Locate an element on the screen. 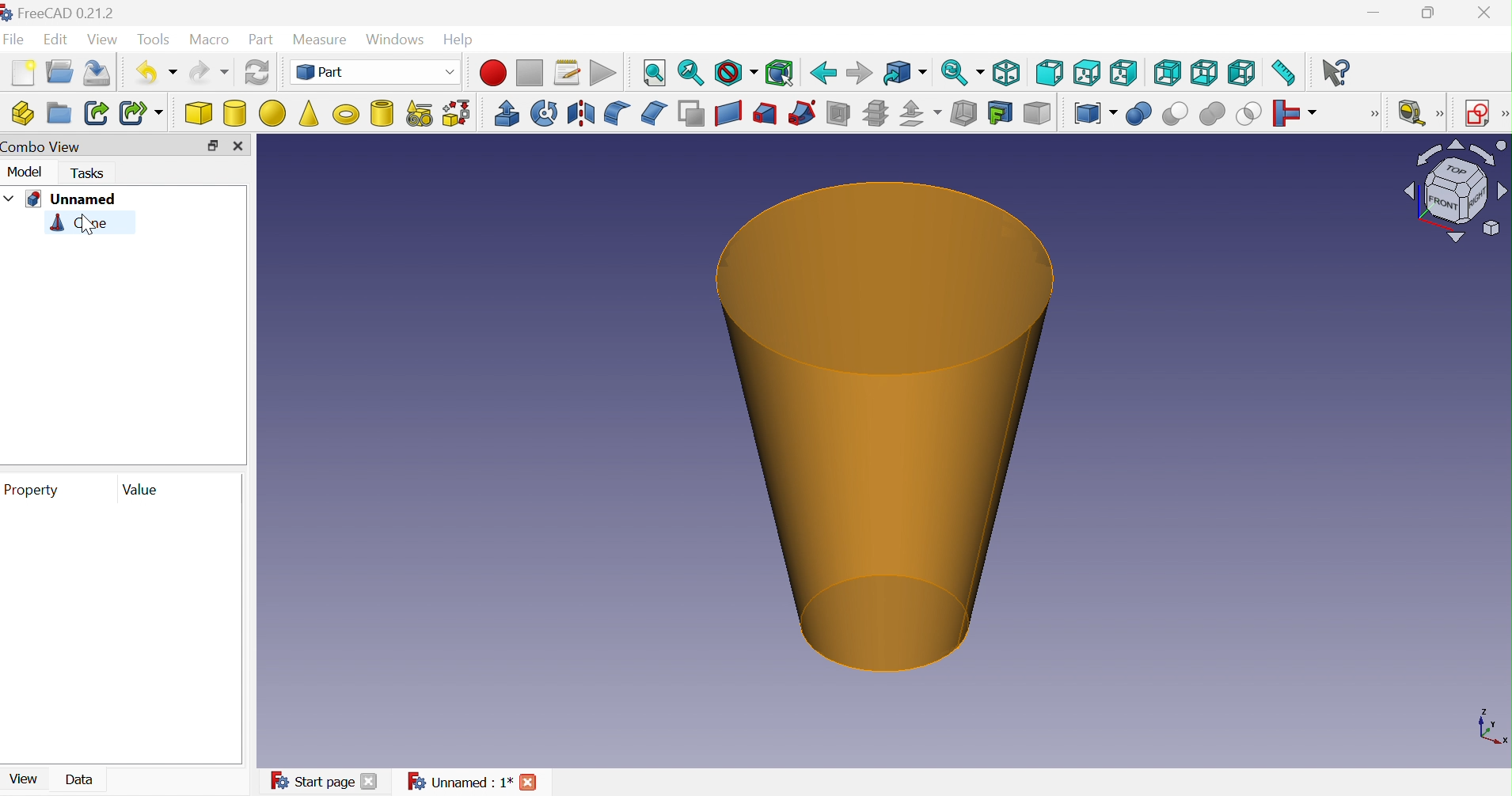  Mirroring is located at coordinates (583, 114).